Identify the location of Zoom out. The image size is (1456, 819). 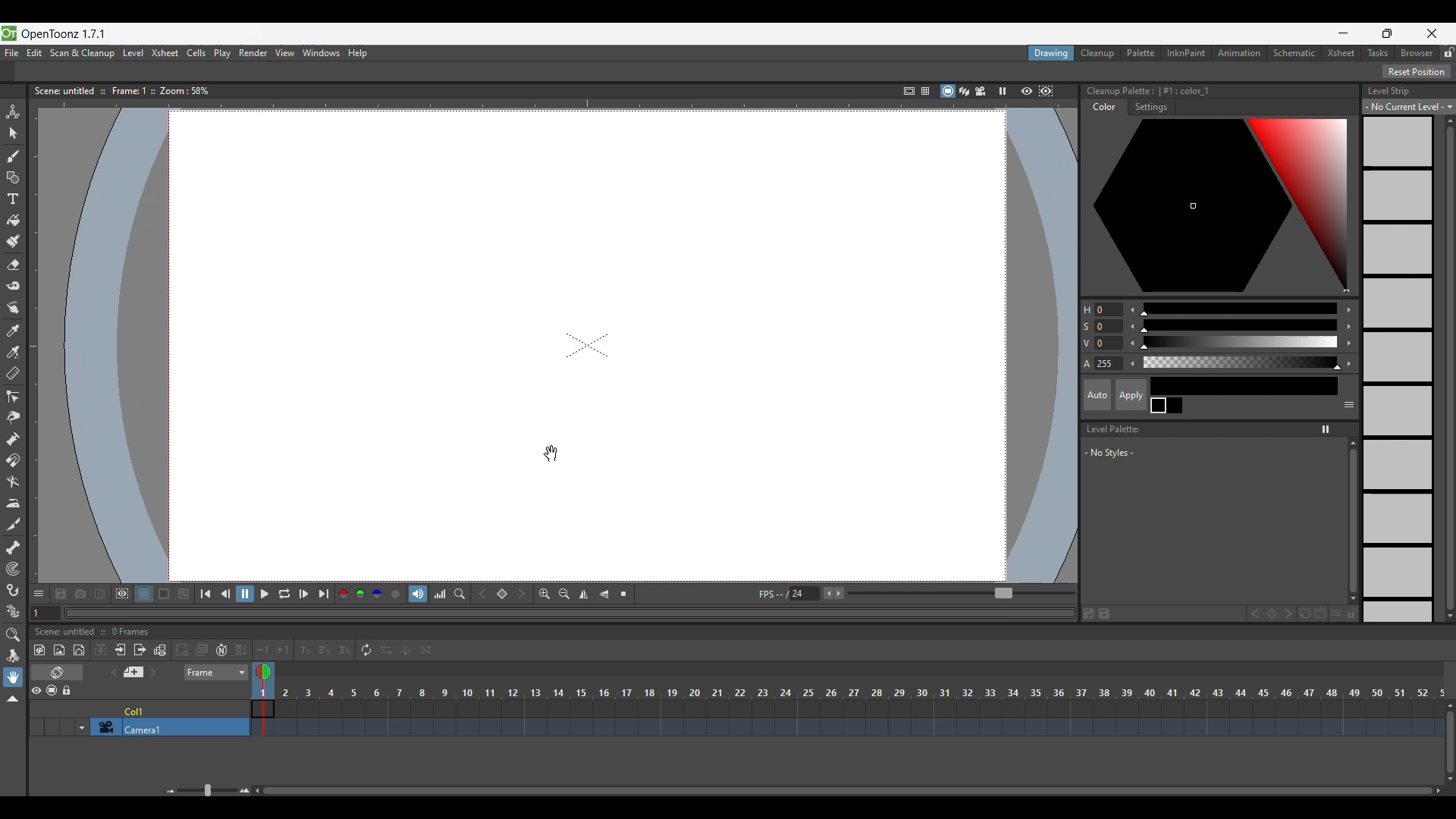
(565, 594).